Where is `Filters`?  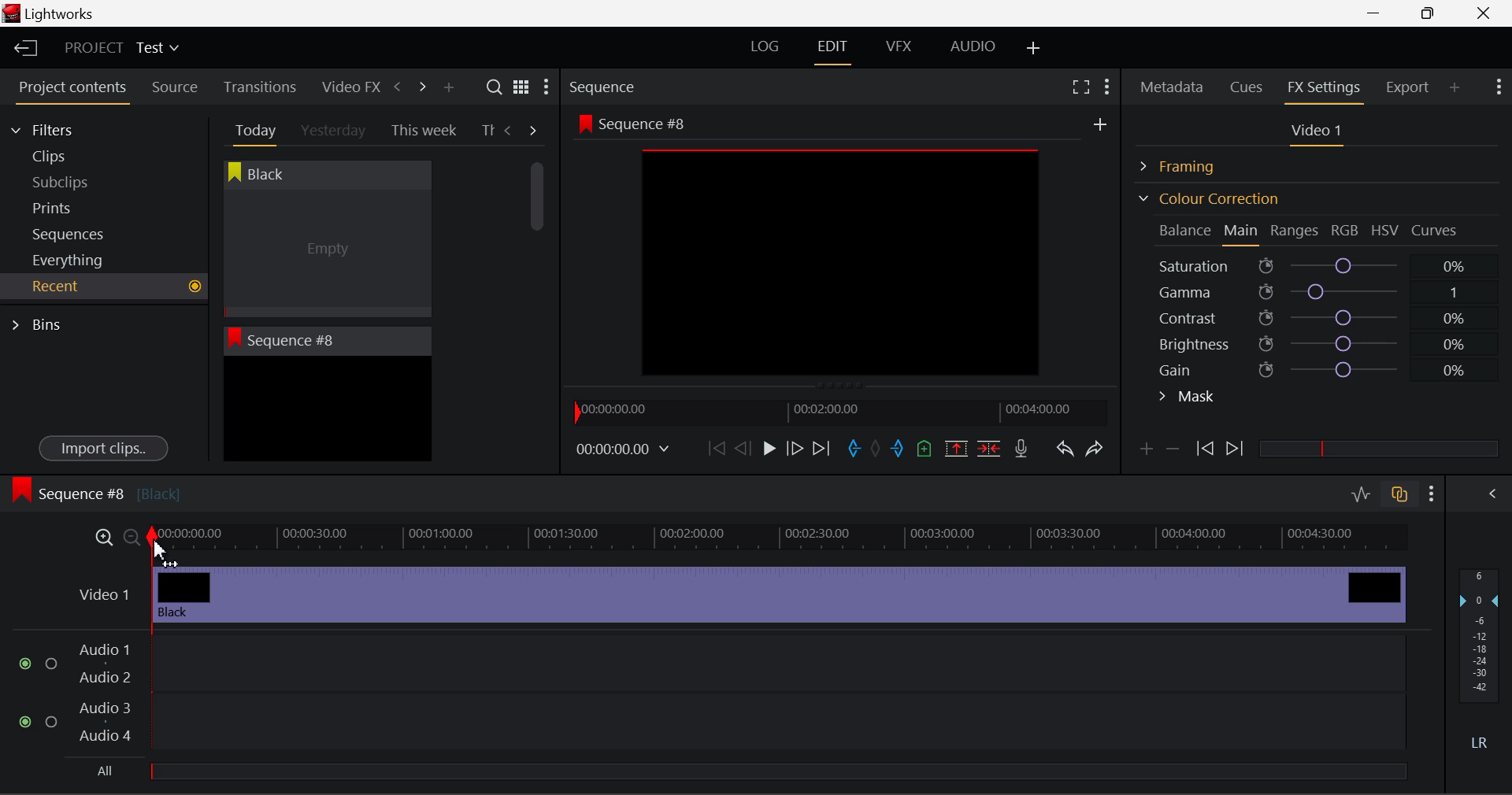
Filters is located at coordinates (57, 128).